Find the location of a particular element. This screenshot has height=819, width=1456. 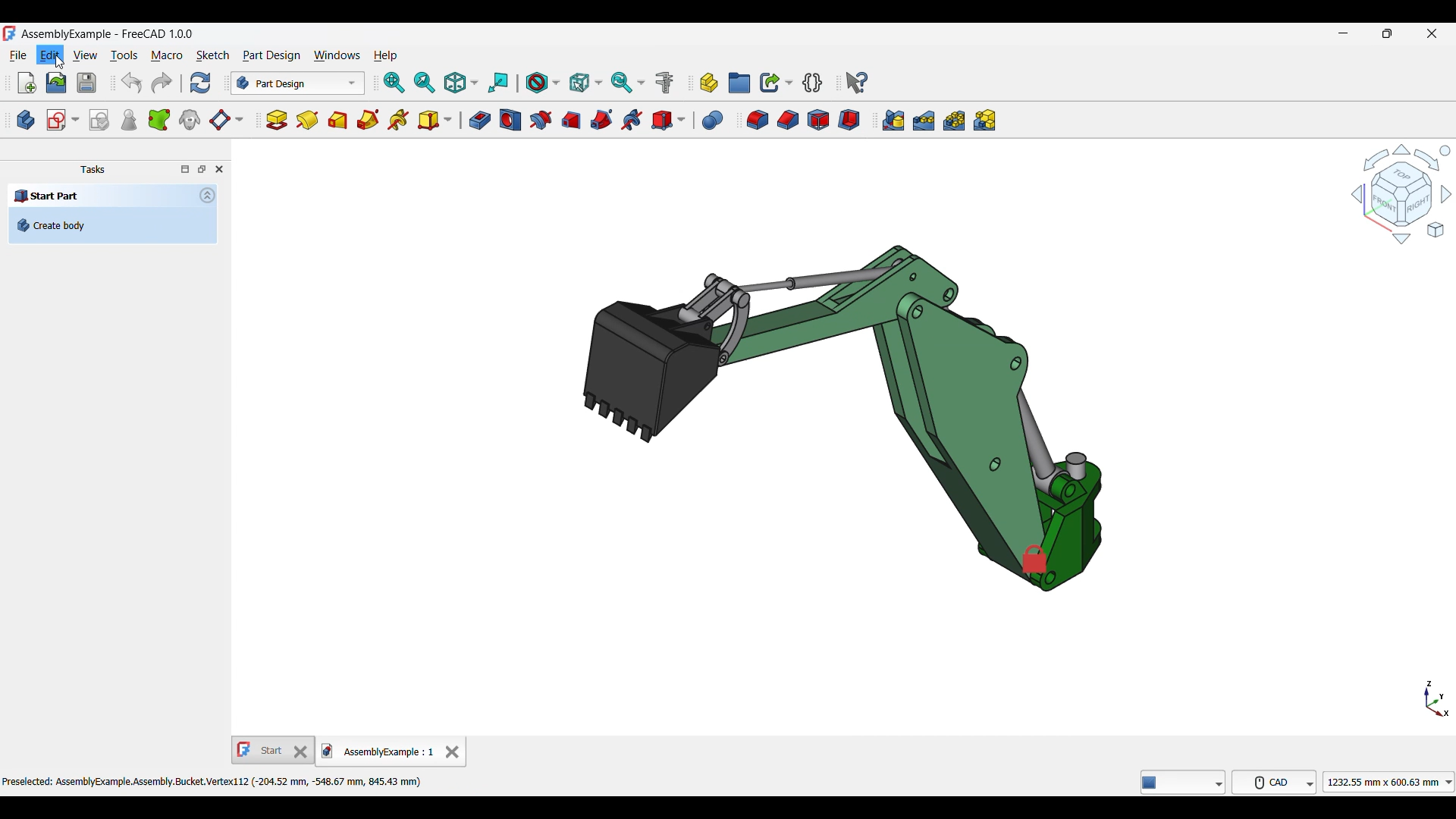

Start Part is located at coordinates (47, 195).